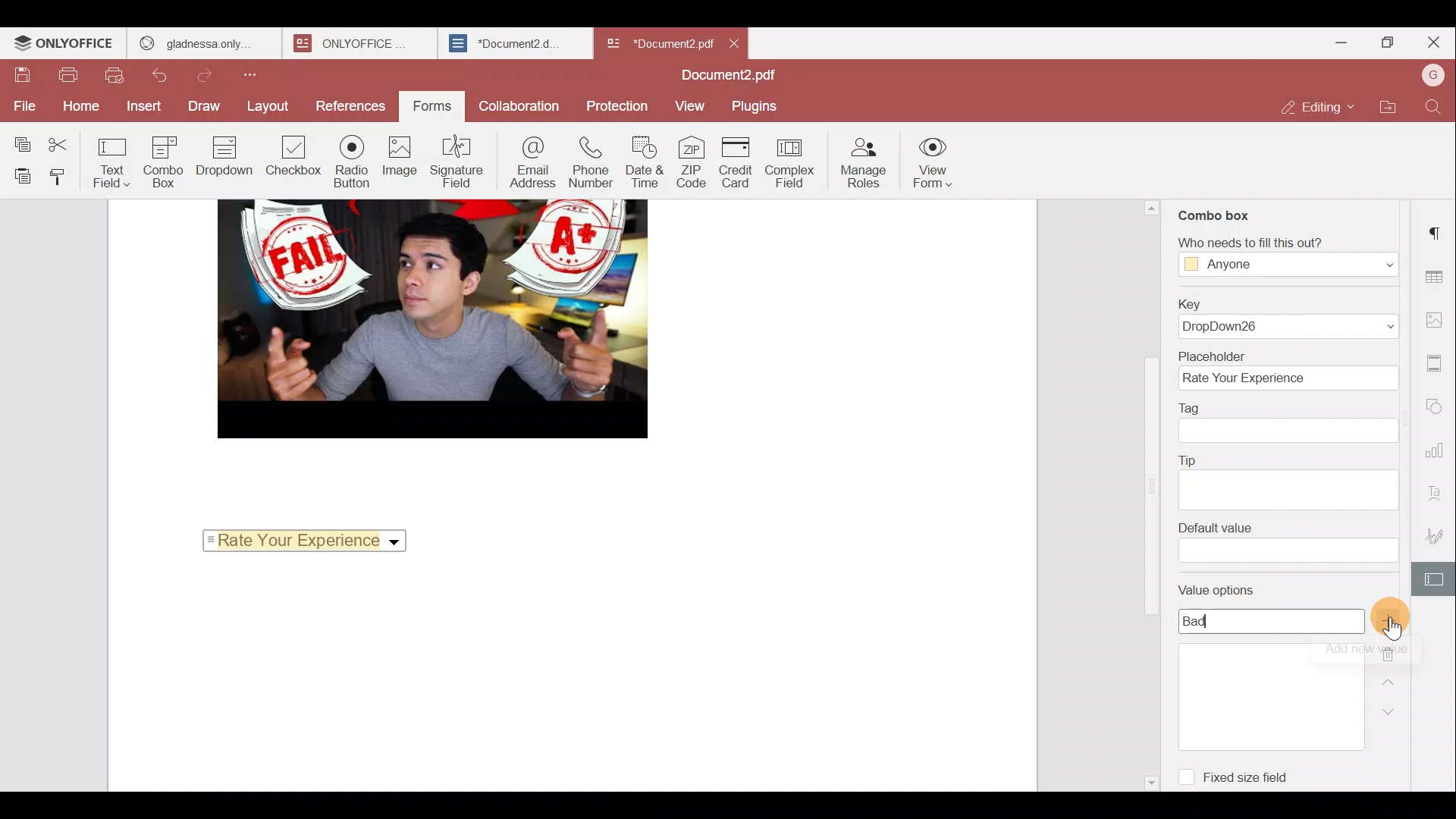 This screenshot has height=819, width=1456. Describe the element at coordinates (77, 108) in the screenshot. I see `Home` at that location.